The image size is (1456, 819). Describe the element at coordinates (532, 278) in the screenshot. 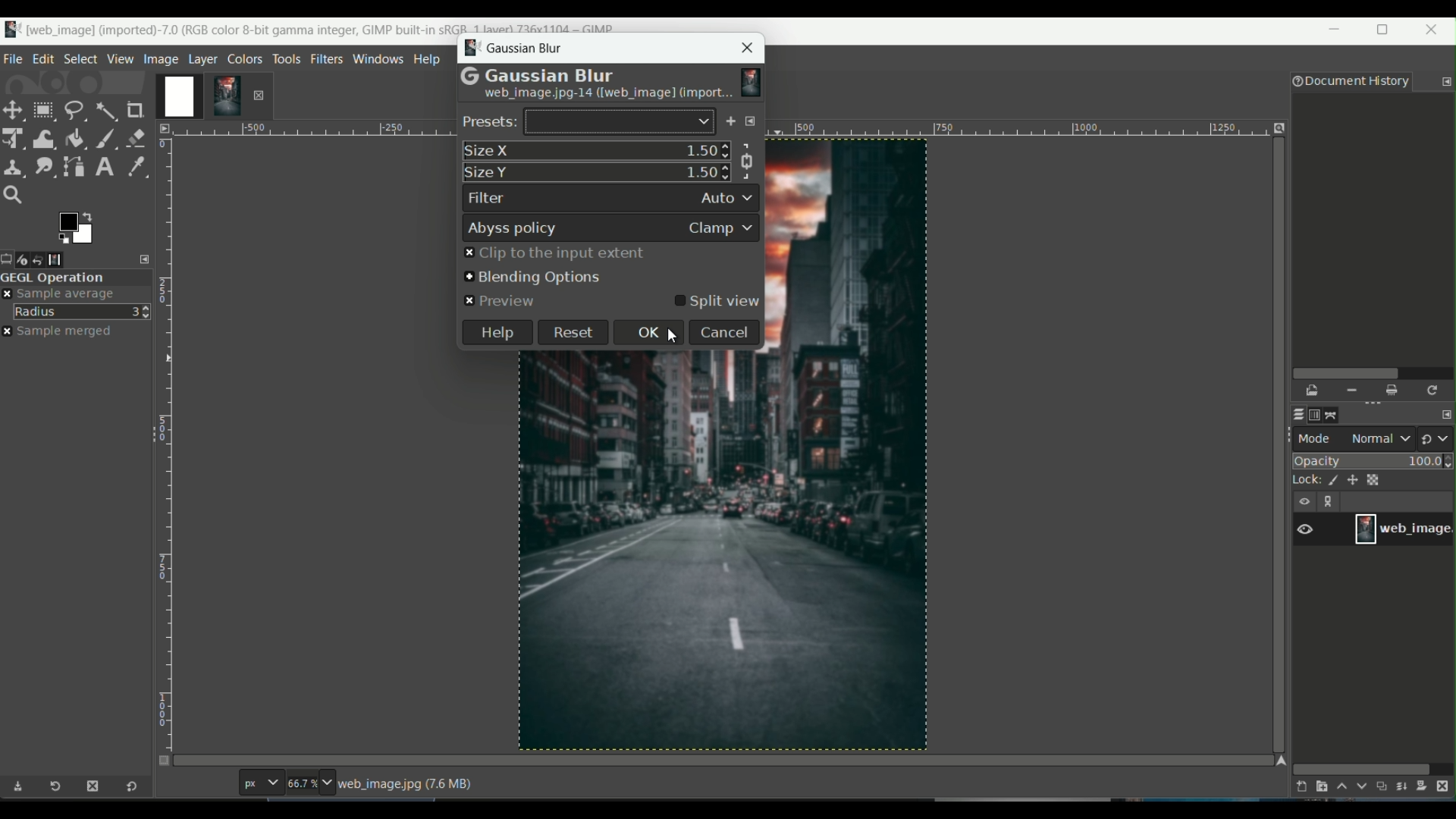

I see `blending options` at that location.